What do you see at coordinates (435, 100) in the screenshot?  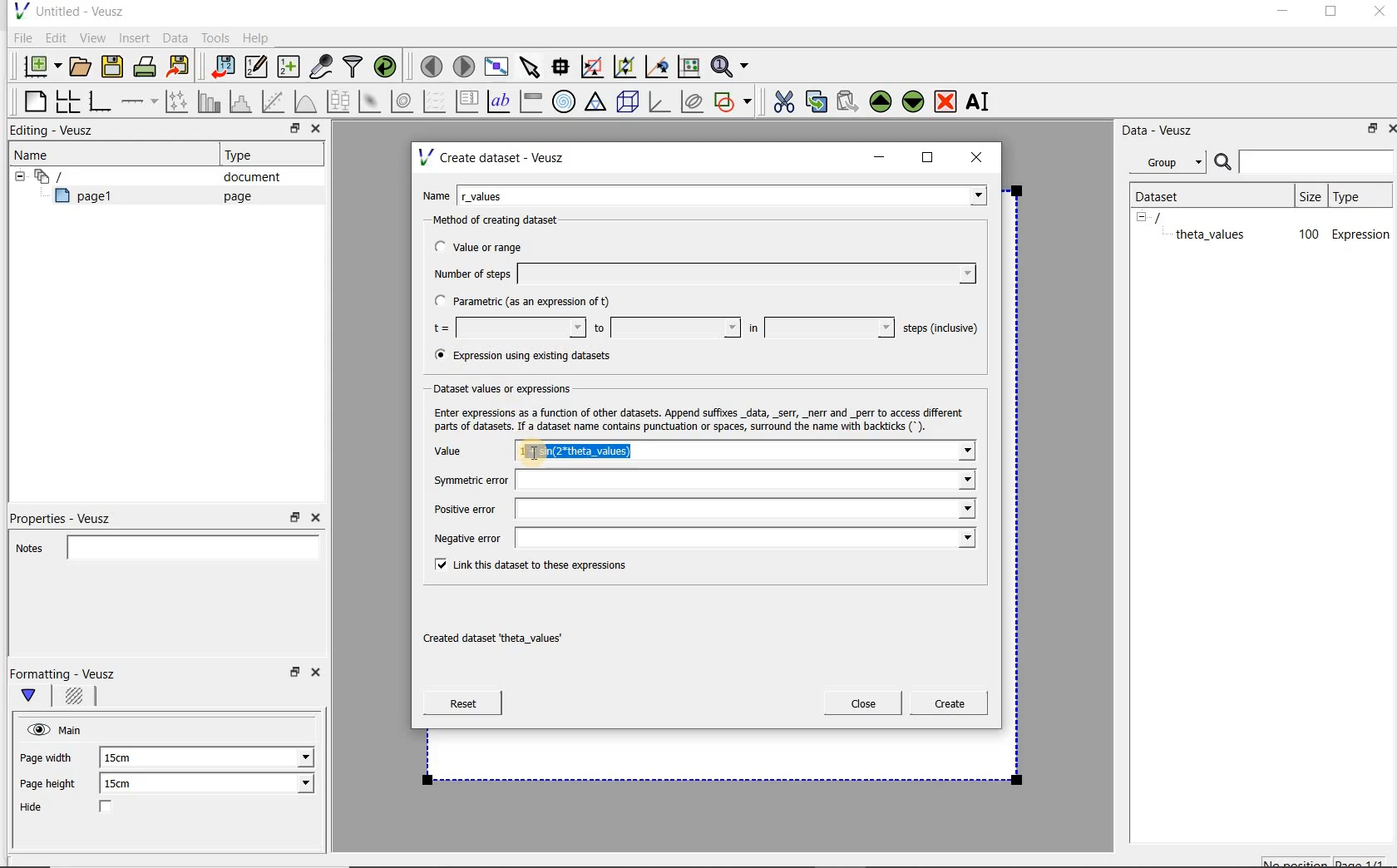 I see `plot a vector field` at bounding box center [435, 100].